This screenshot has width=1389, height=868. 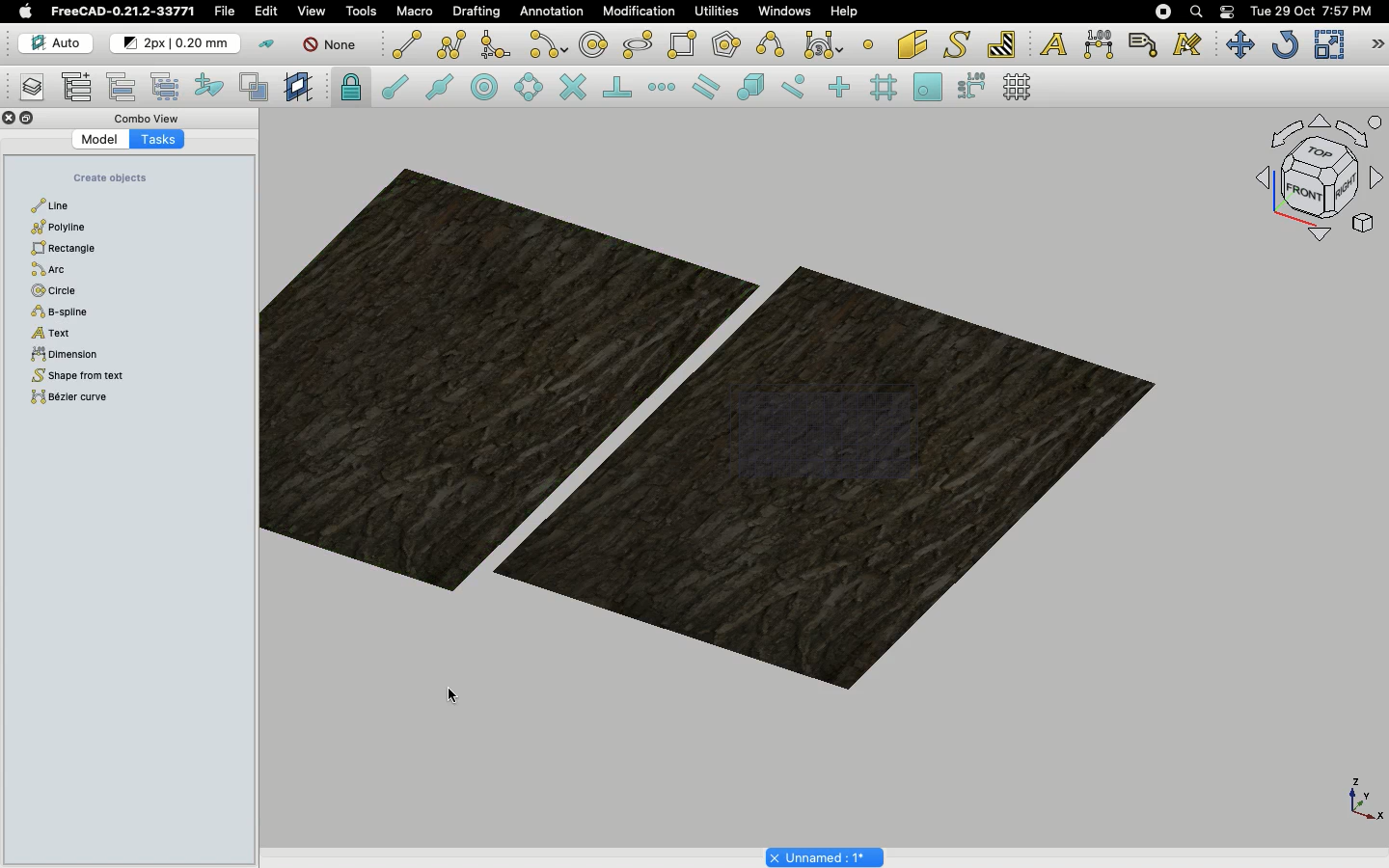 What do you see at coordinates (101, 140) in the screenshot?
I see `Model` at bounding box center [101, 140].